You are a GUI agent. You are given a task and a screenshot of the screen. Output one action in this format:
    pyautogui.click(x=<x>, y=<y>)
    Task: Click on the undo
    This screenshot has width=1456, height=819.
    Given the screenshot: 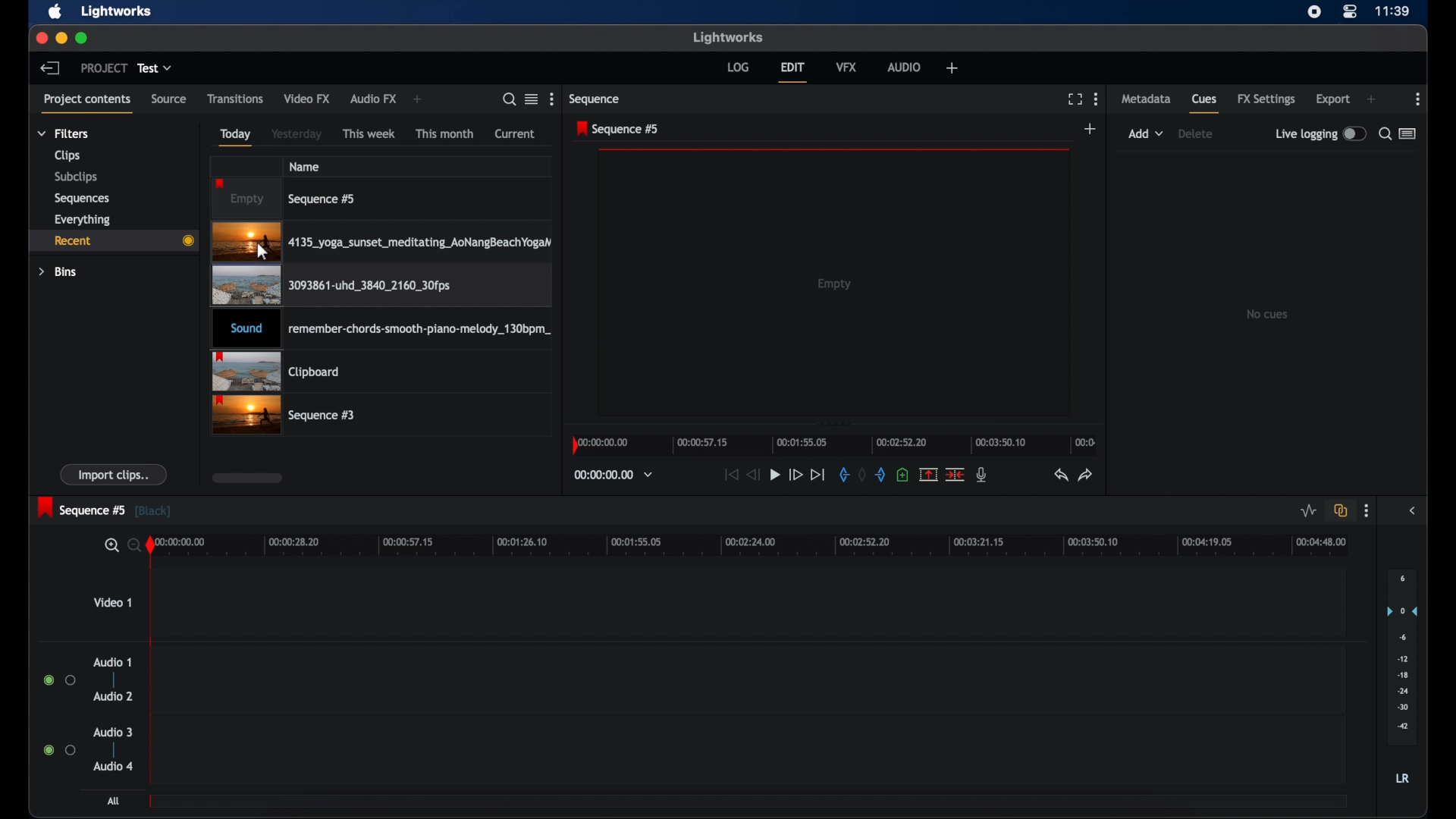 What is the action you would take?
    pyautogui.click(x=1059, y=475)
    